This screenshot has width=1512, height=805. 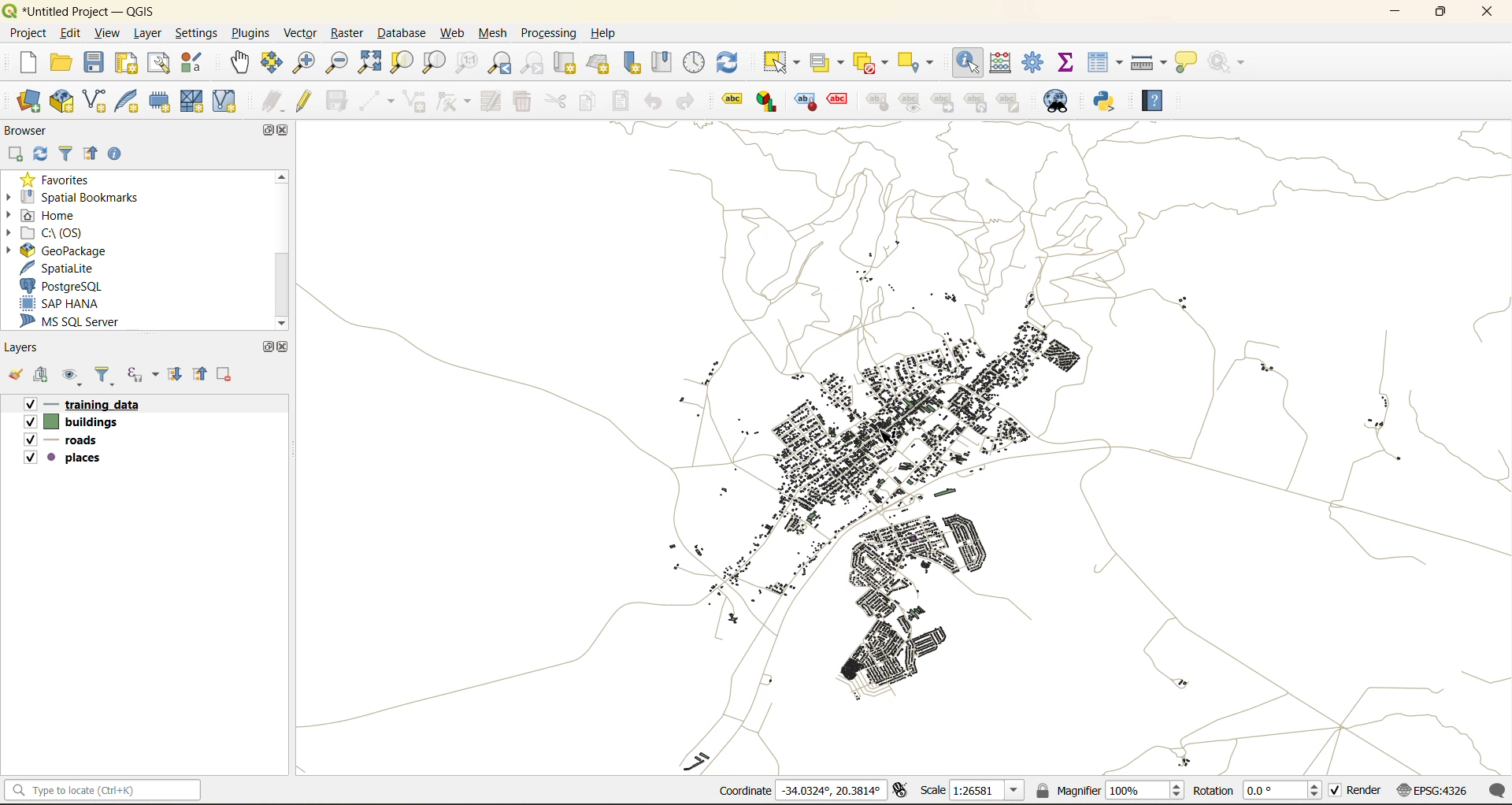 I want to click on plugins, so click(x=250, y=33).